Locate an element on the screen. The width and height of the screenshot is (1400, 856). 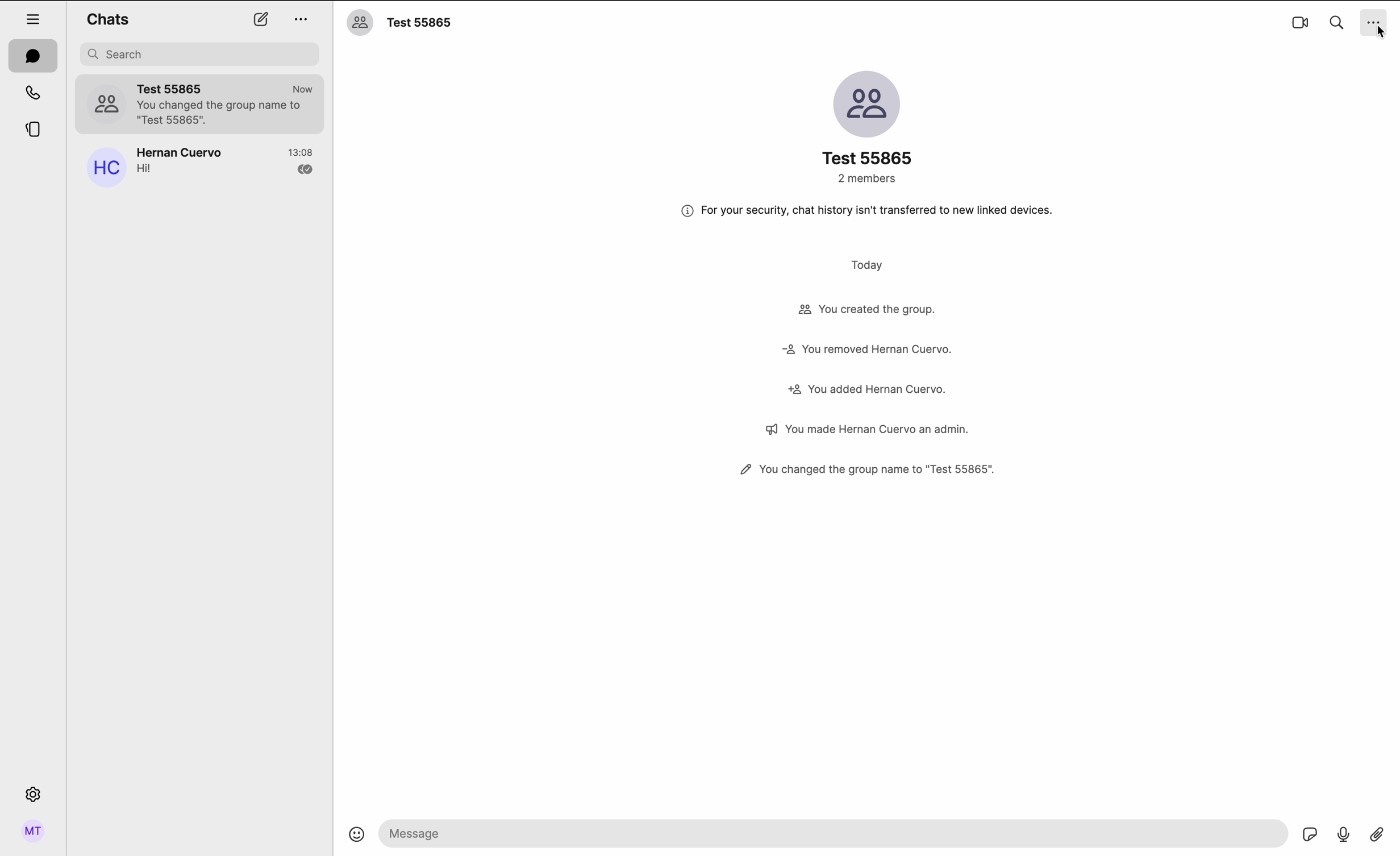
profile is located at coordinates (35, 832).